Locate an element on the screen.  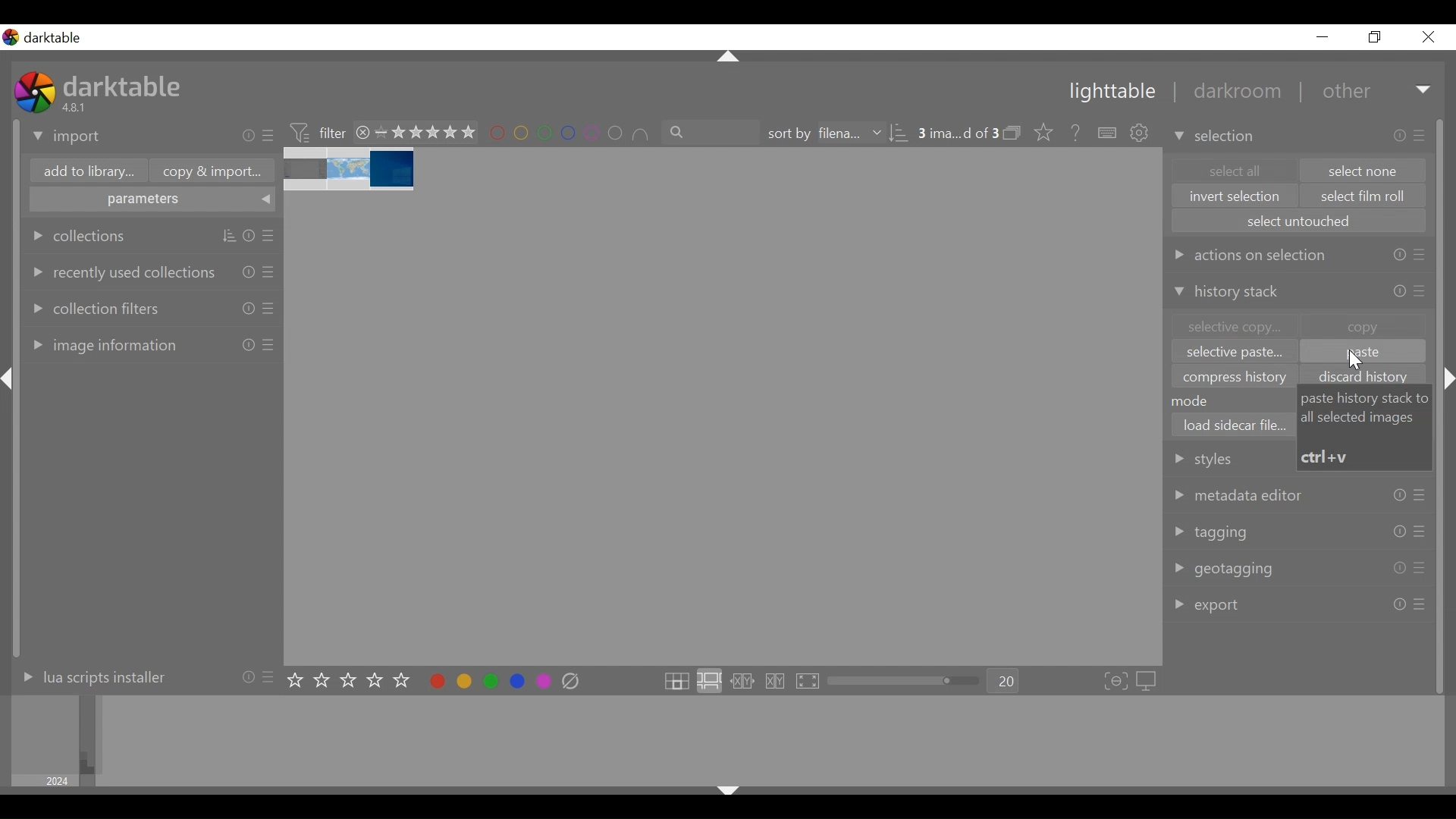
collection filters is located at coordinates (94, 306).